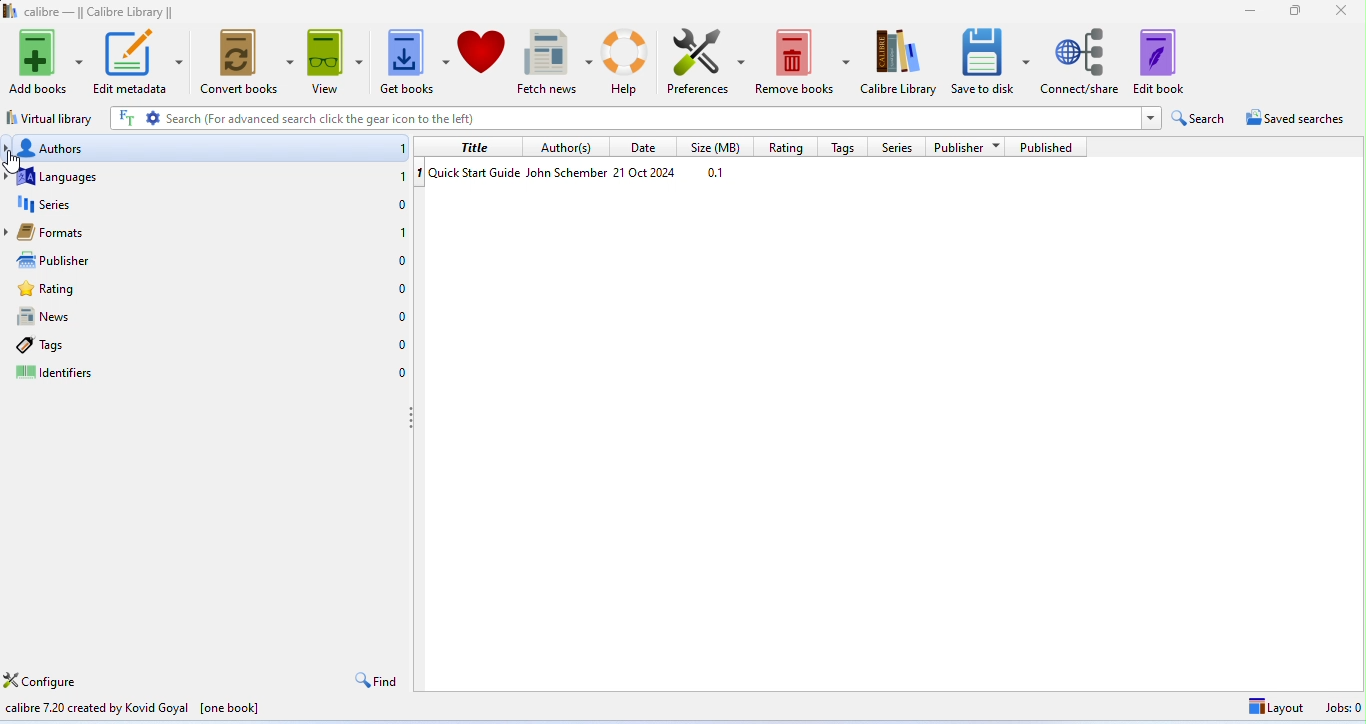 This screenshot has height=724, width=1366. Describe the element at coordinates (210, 372) in the screenshot. I see `identifier` at that location.